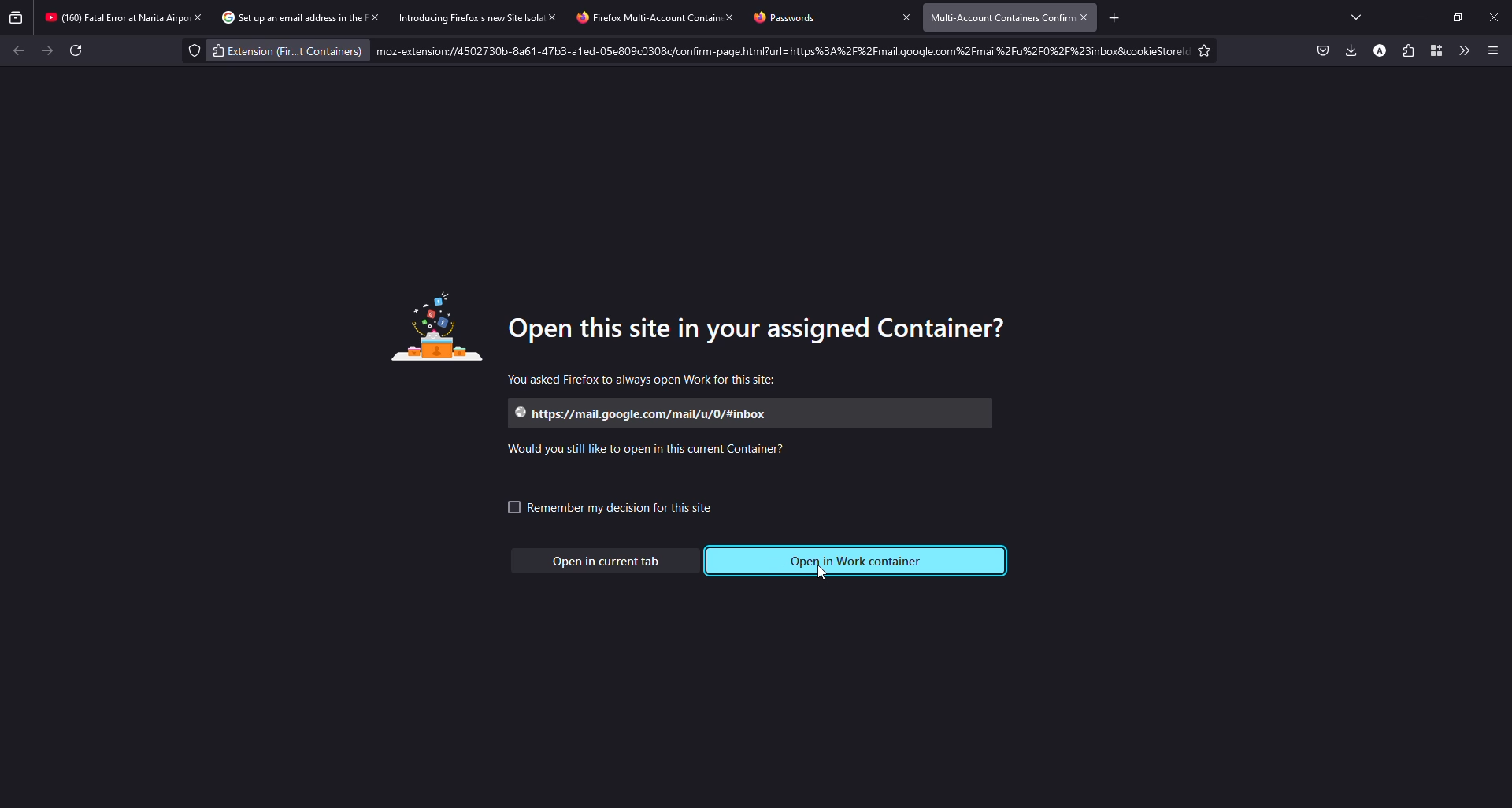  I want to click on maximize, so click(1457, 15).